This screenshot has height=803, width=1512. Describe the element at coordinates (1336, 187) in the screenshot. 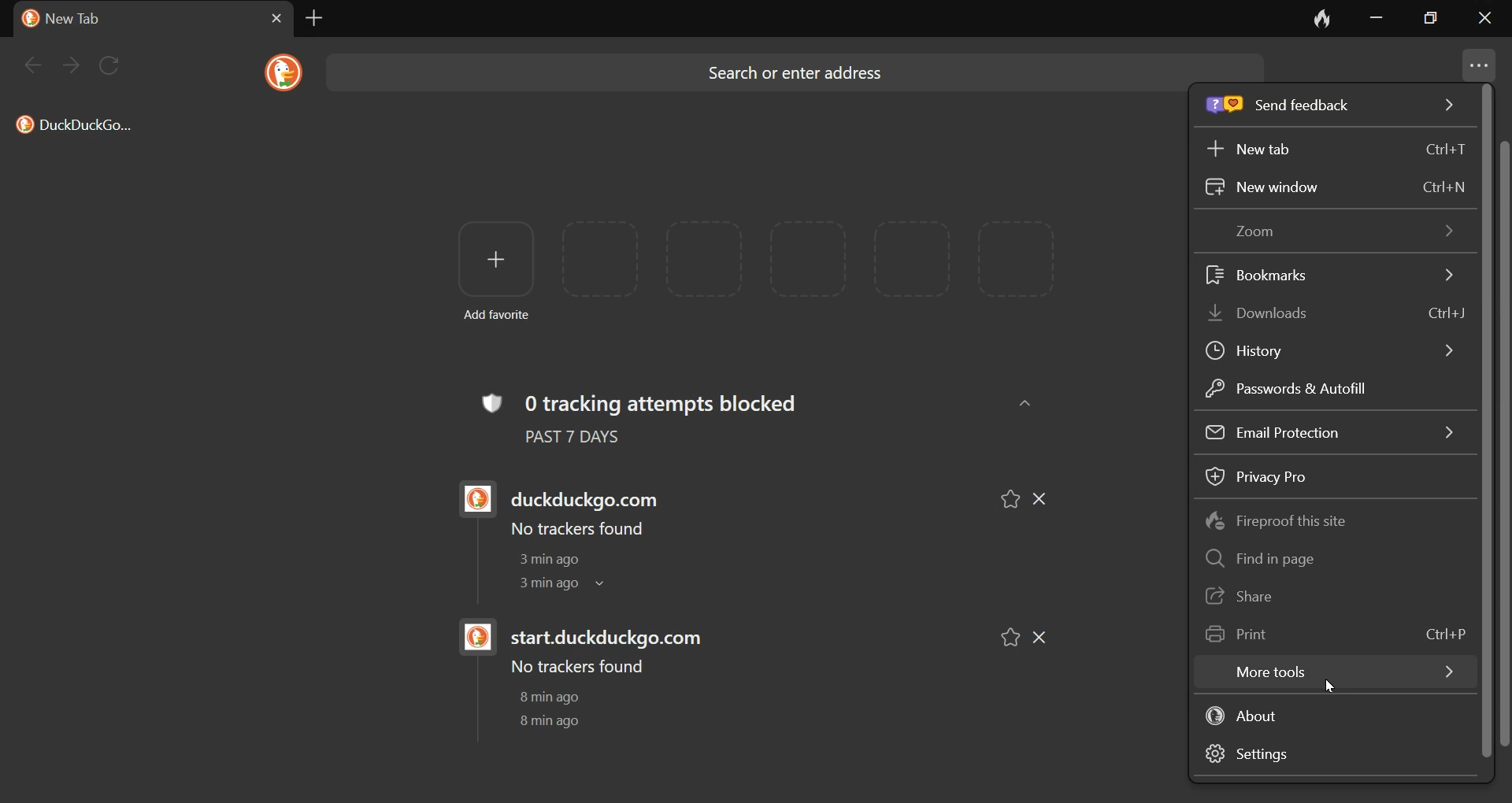

I see `New window` at that location.